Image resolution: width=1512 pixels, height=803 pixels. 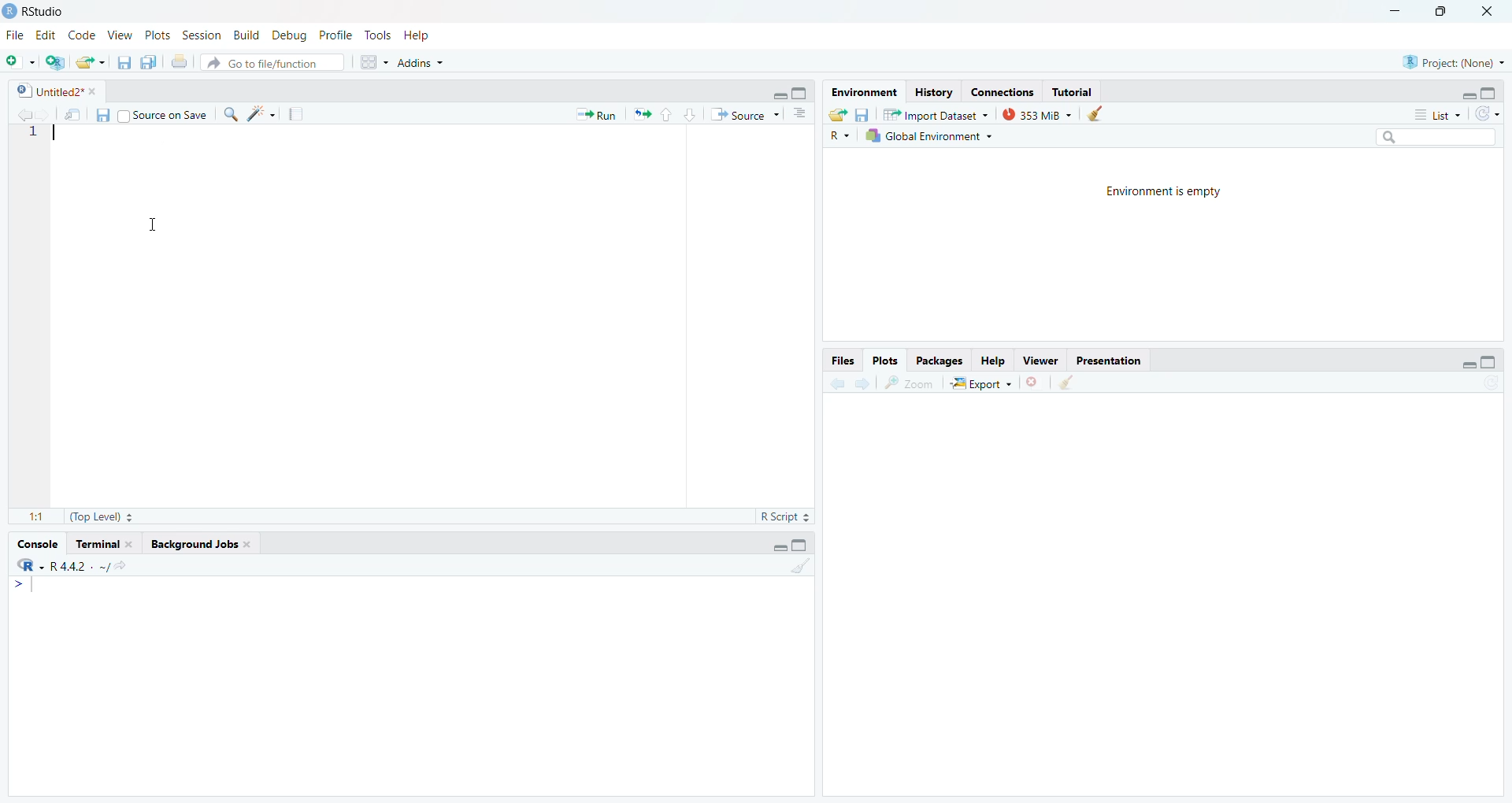 What do you see at coordinates (864, 115) in the screenshot?
I see `save` at bounding box center [864, 115].